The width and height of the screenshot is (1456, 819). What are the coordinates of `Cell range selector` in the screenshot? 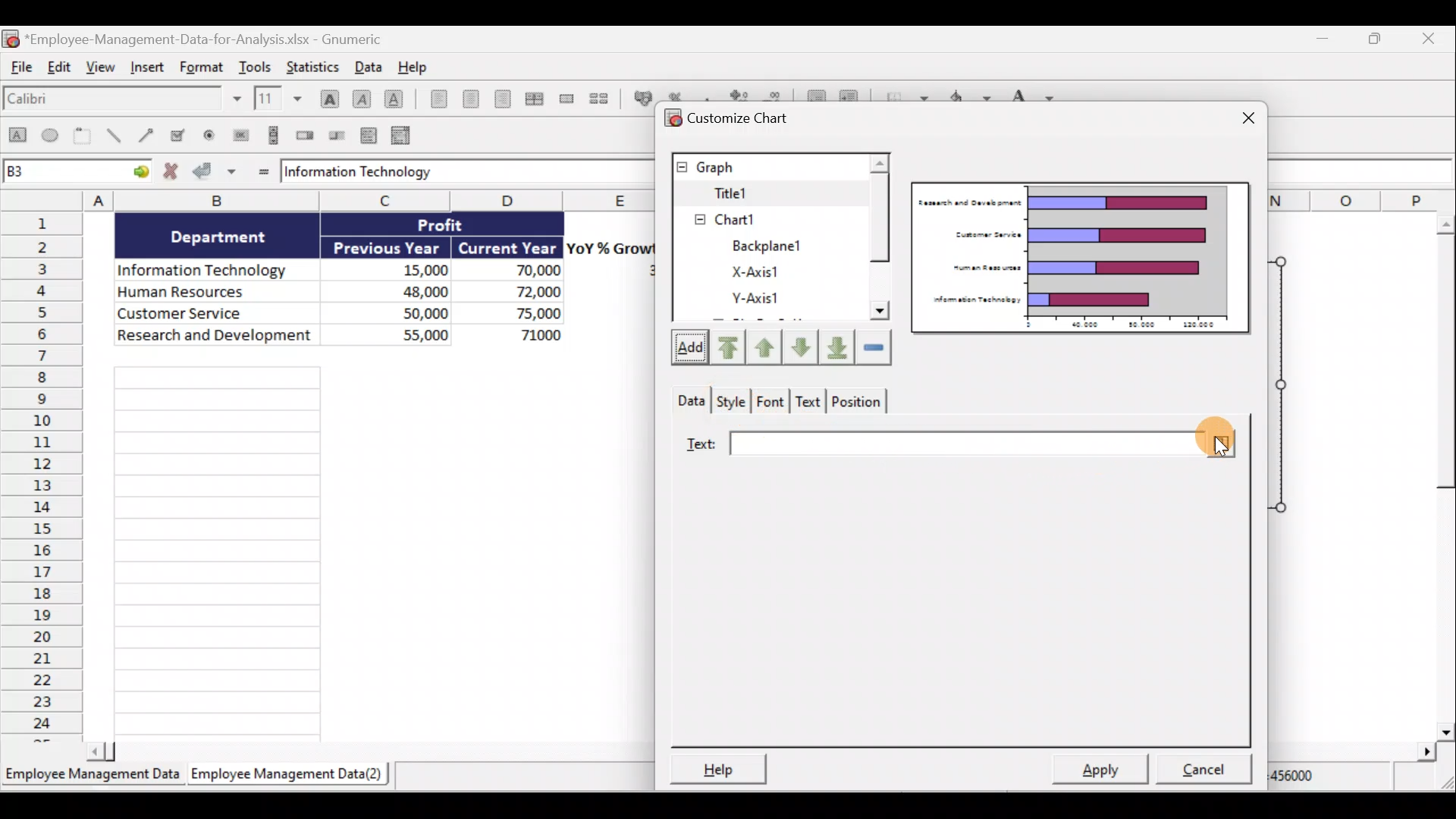 It's located at (1215, 435).